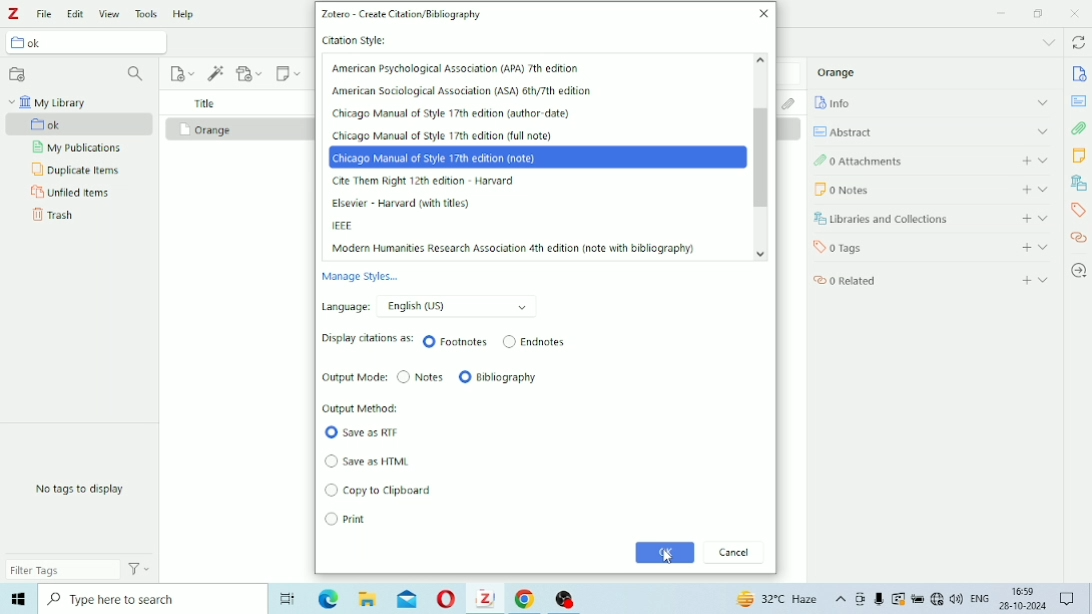  Describe the element at coordinates (76, 14) in the screenshot. I see `Edit` at that location.